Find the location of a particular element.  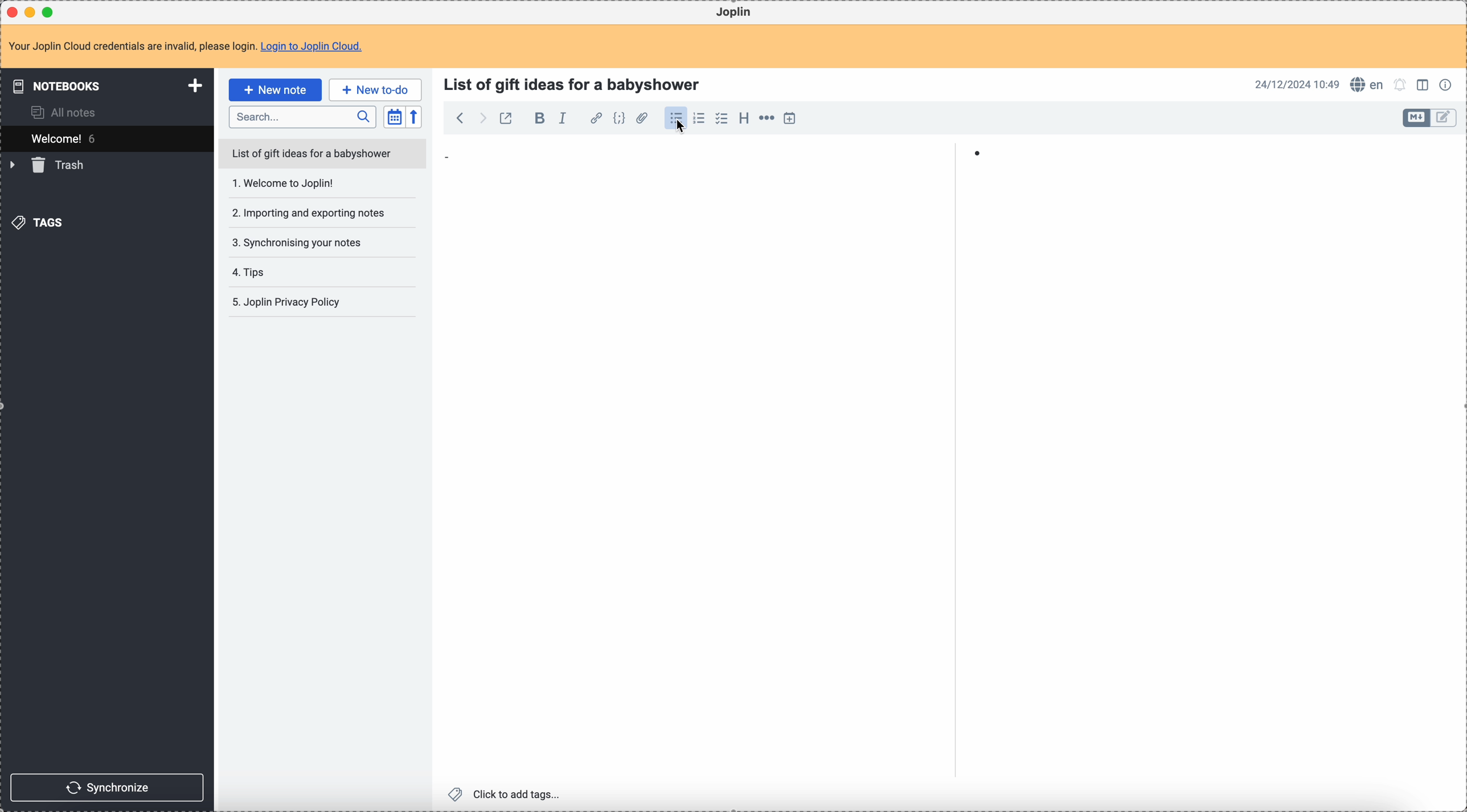

search bar is located at coordinates (302, 117).